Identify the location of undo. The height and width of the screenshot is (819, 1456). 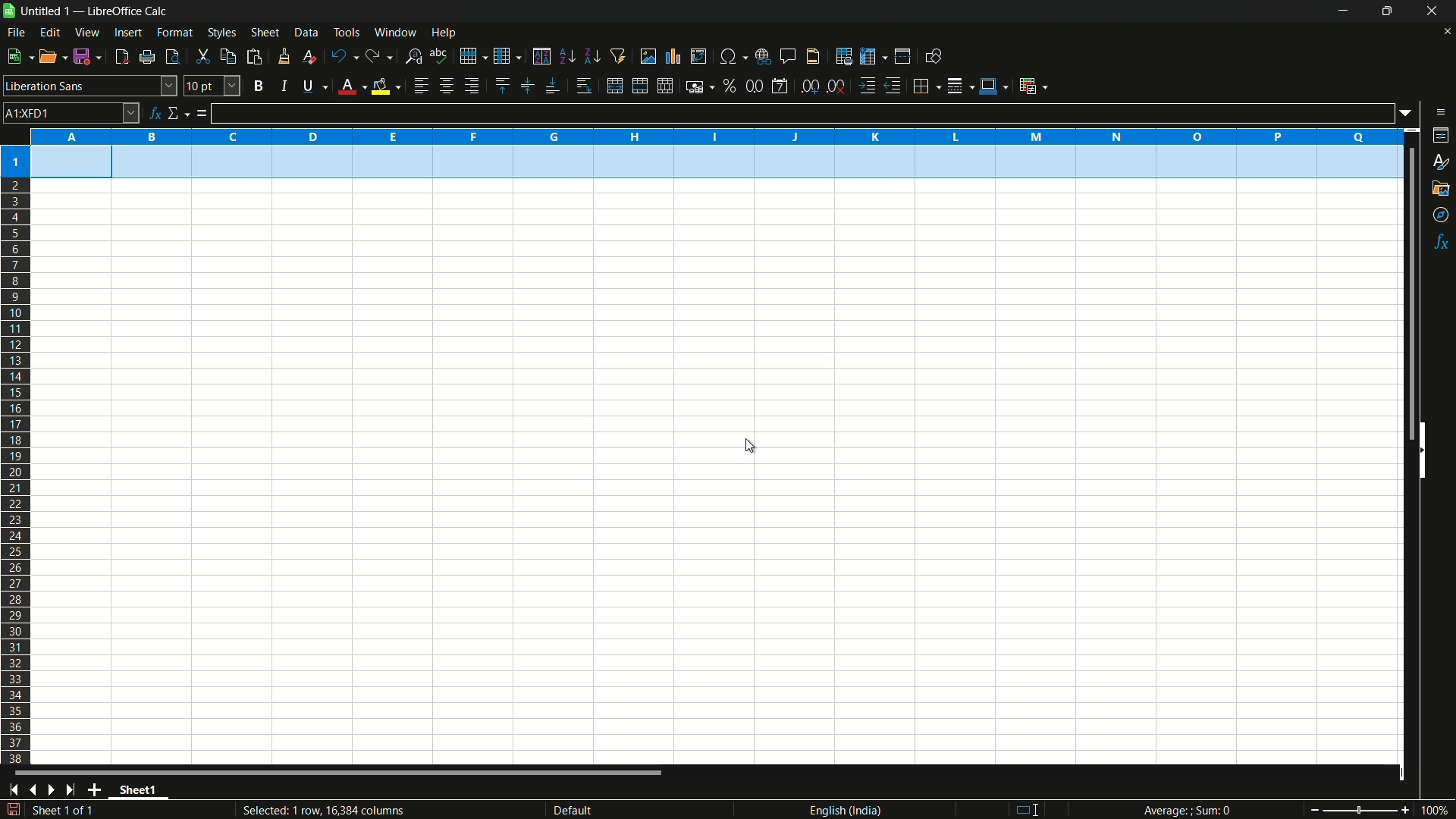
(341, 55).